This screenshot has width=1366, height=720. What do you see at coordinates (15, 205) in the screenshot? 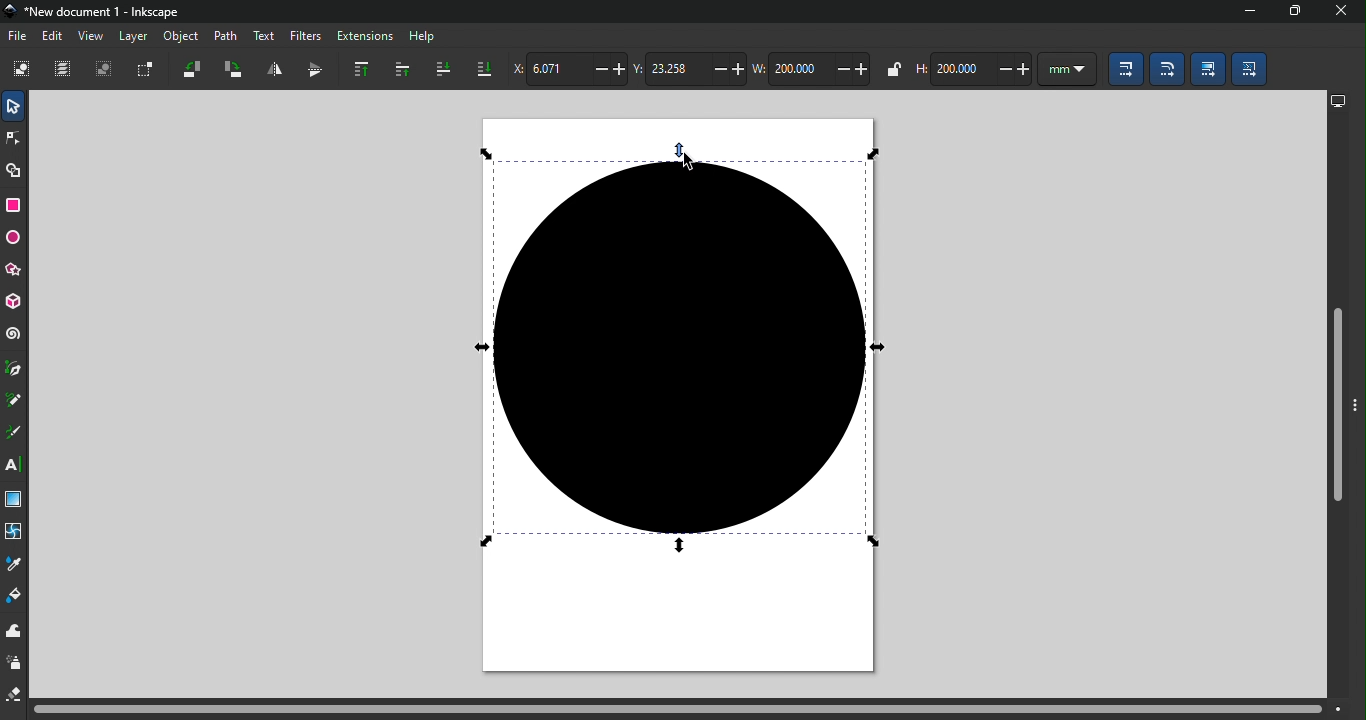
I see `Rectangle tool` at bounding box center [15, 205].